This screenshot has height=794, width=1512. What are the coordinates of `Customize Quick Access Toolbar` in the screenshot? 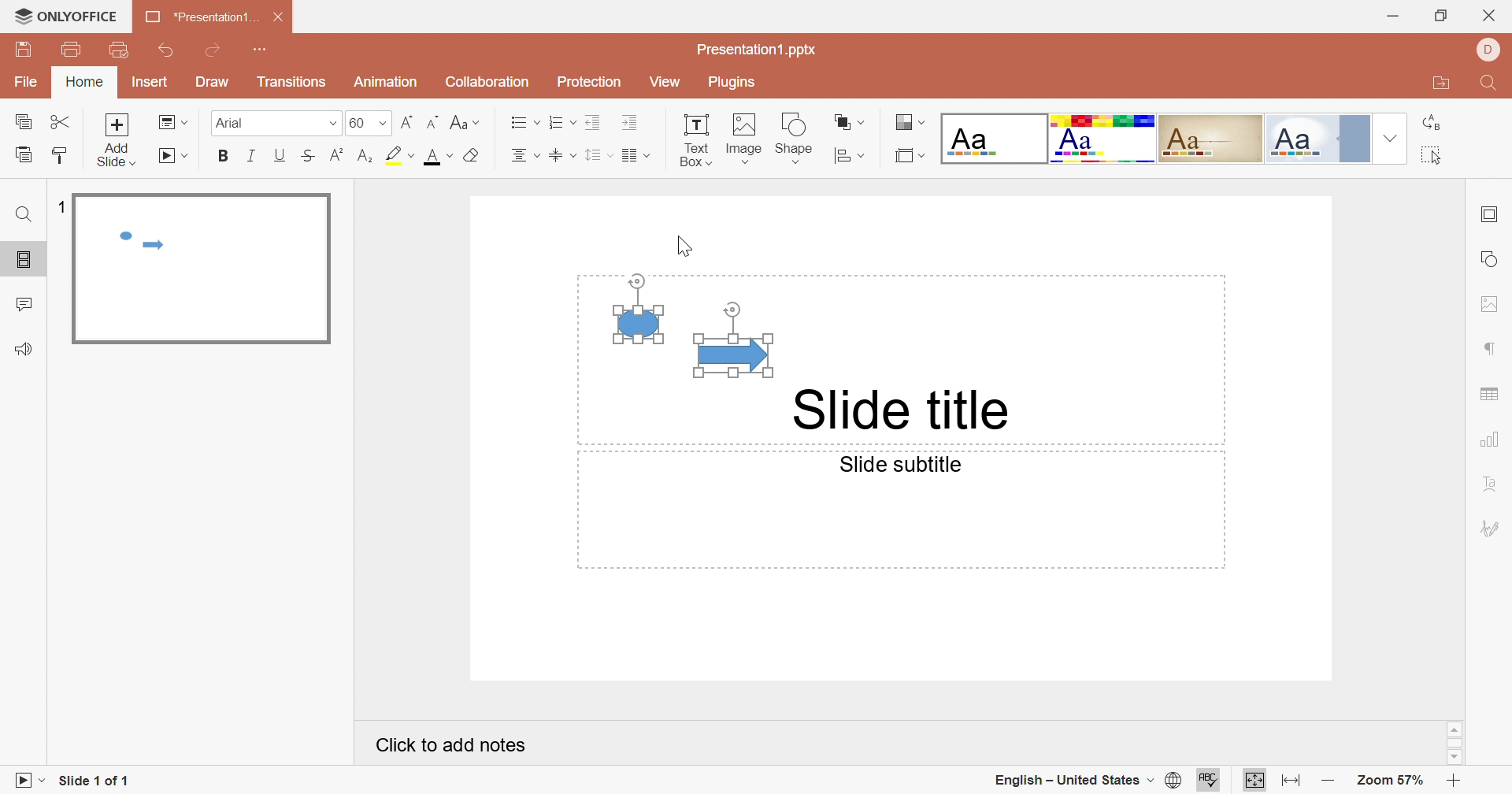 It's located at (261, 50).